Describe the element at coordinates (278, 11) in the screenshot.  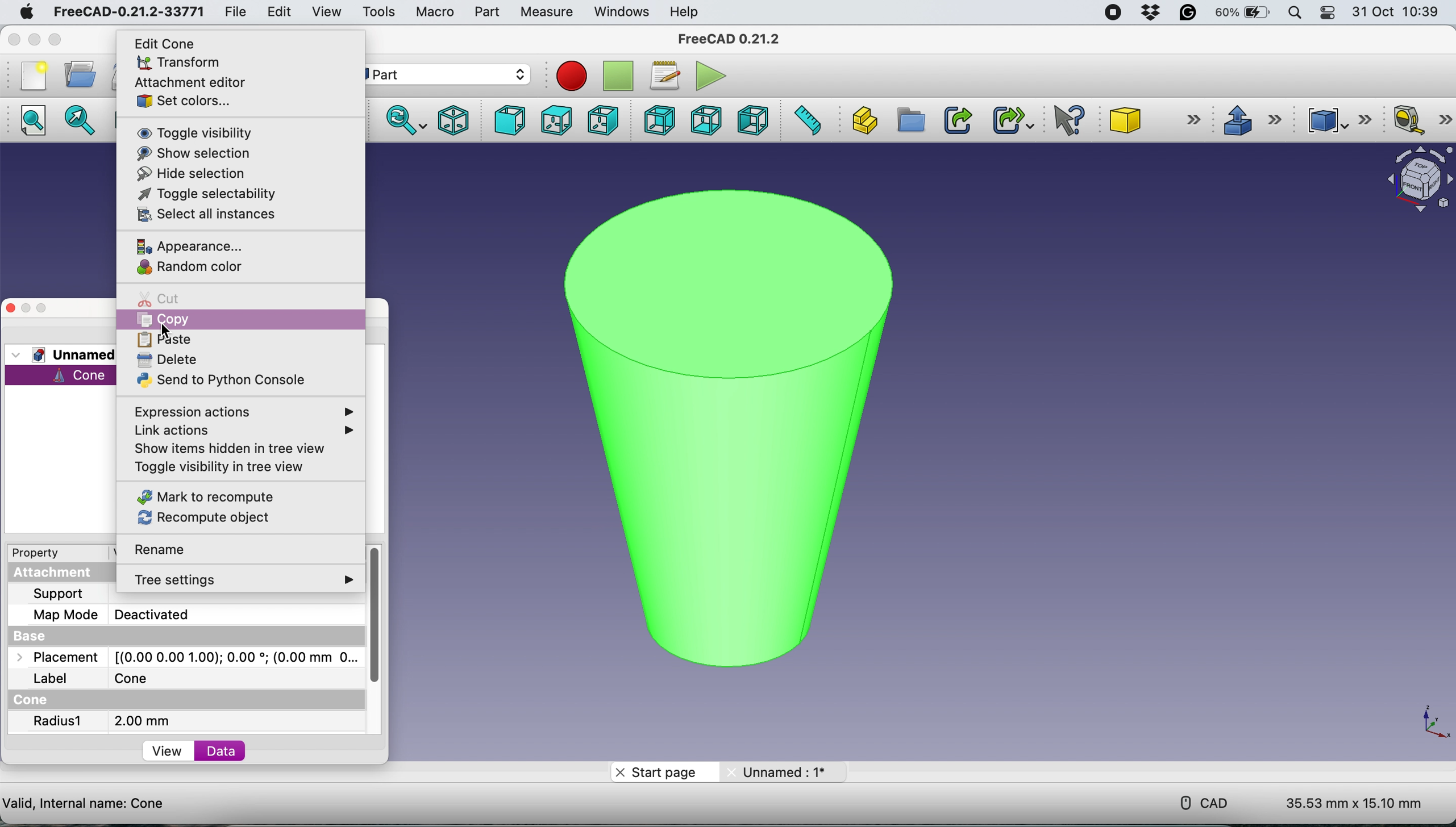
I see `edit` at that location.